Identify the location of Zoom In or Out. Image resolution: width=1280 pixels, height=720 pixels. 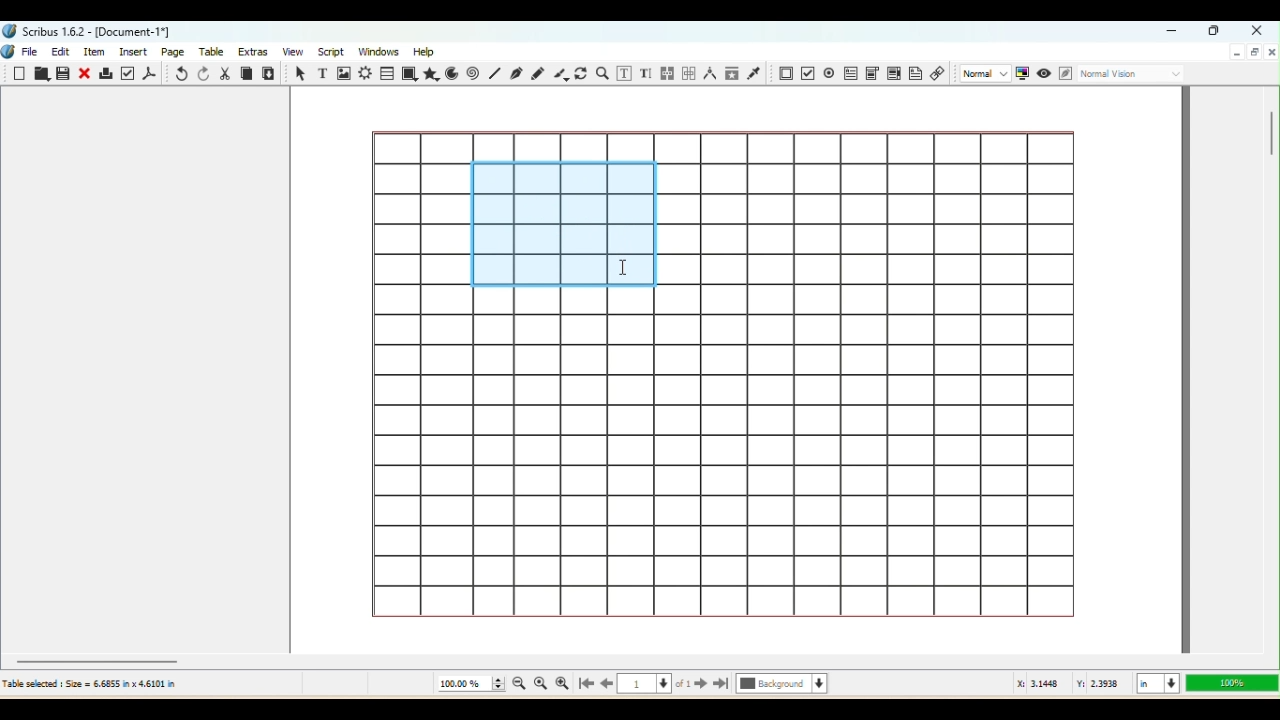
(603, 72).